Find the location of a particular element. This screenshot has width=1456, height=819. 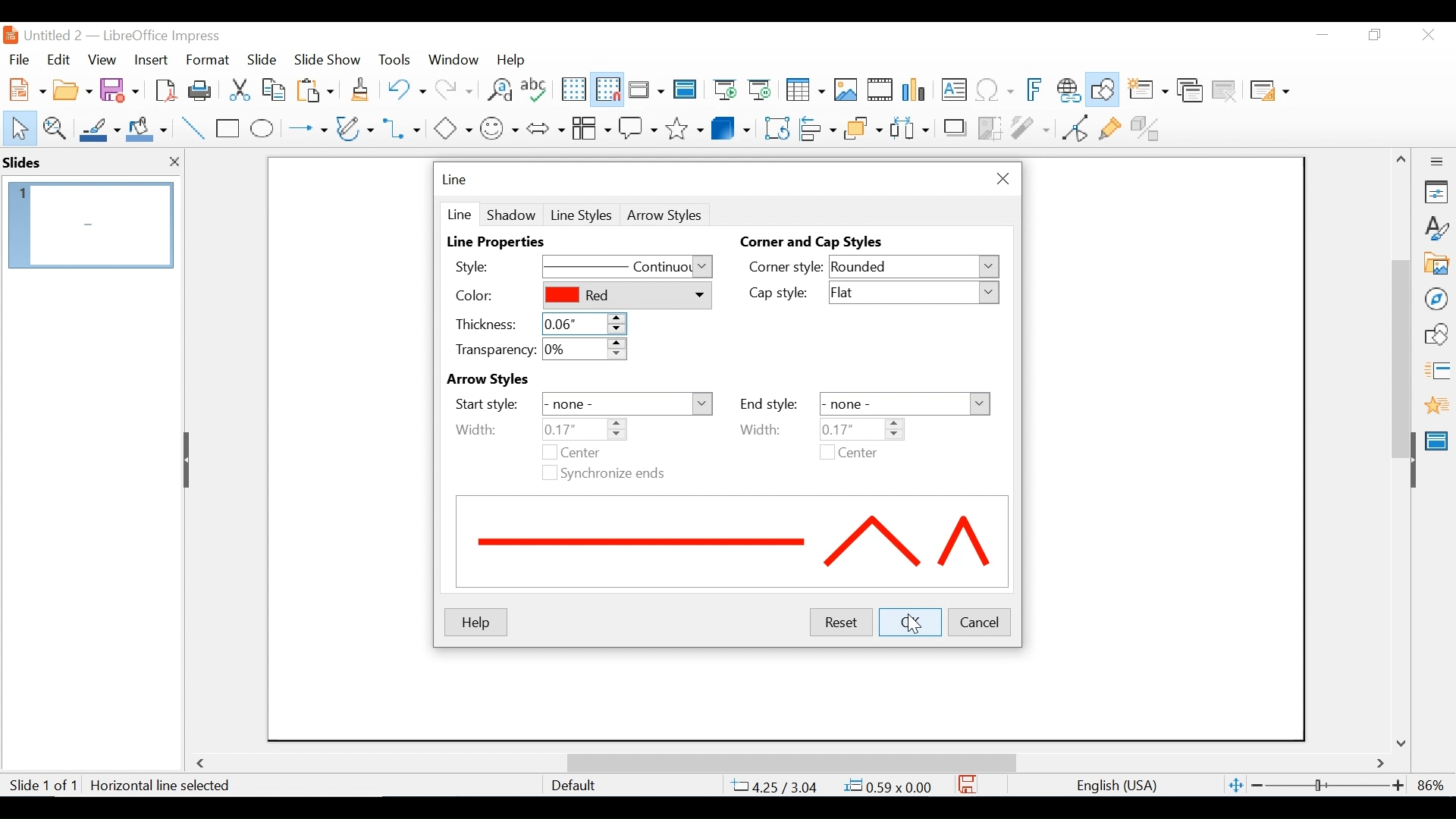

Shadow Image is located at coordinates (956, 127).